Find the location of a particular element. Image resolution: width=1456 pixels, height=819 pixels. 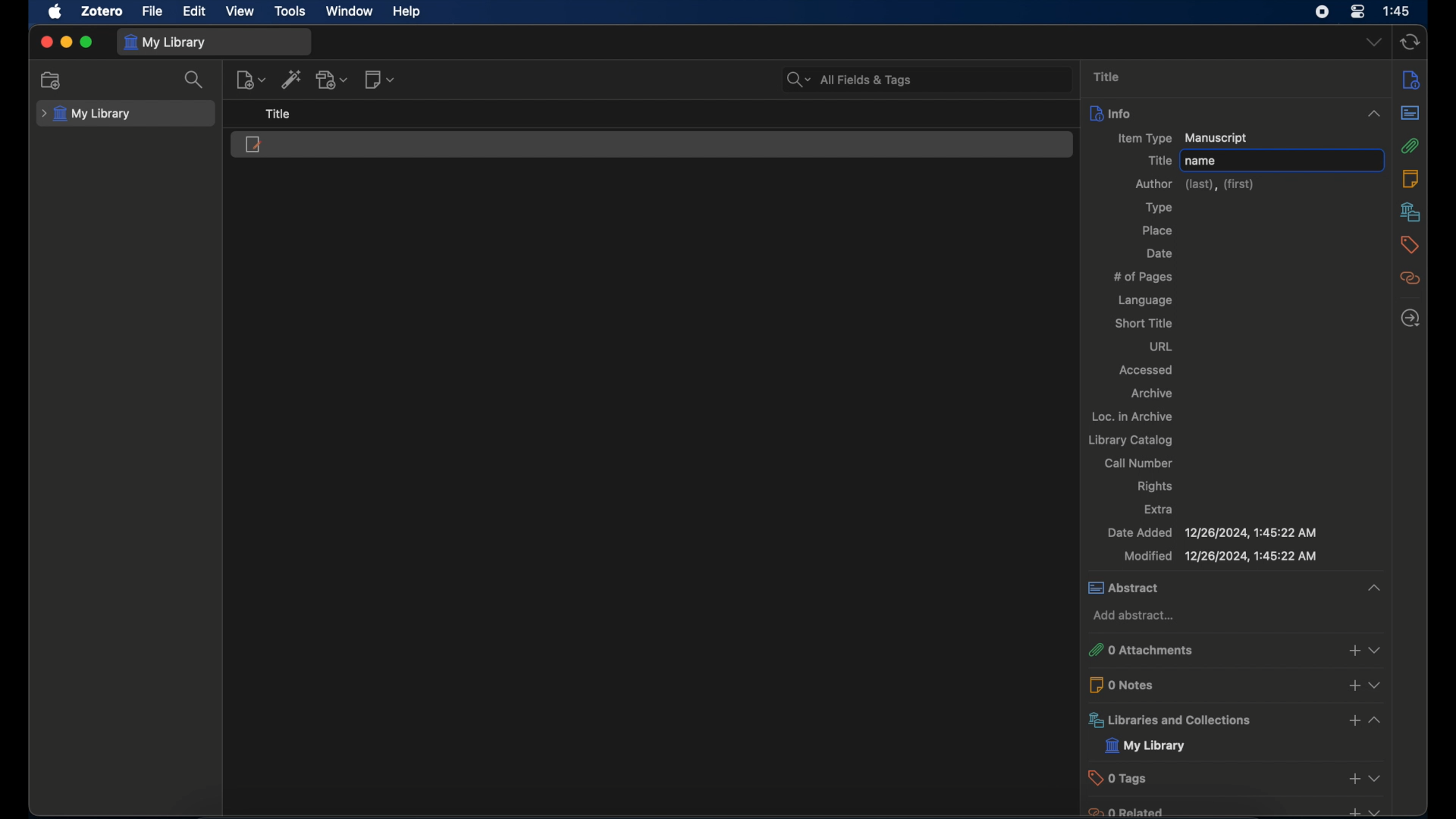

0 attachments is located at coordinates (1233, 650).